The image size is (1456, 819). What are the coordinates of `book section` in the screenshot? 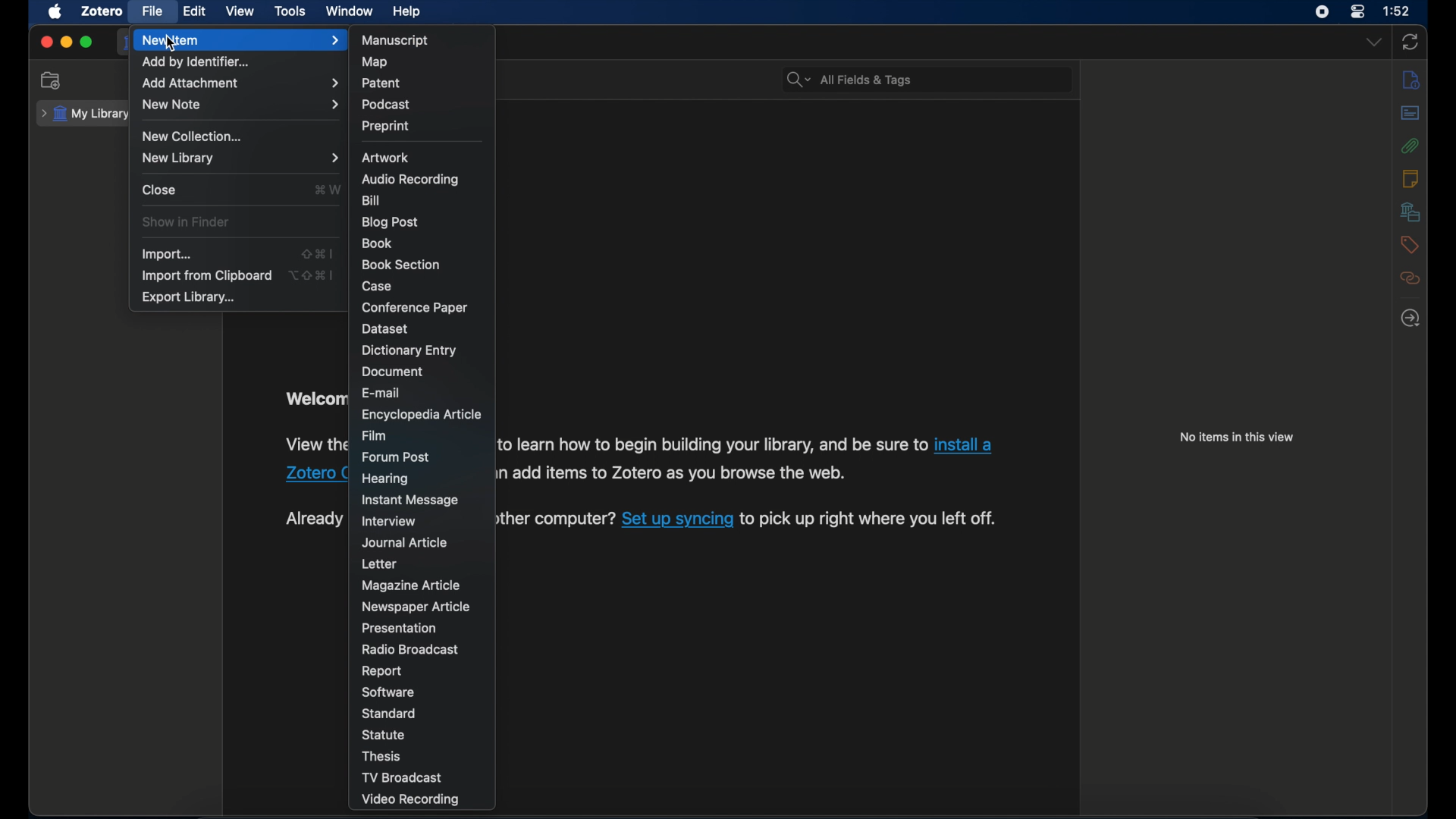 It's located at (403, 265).